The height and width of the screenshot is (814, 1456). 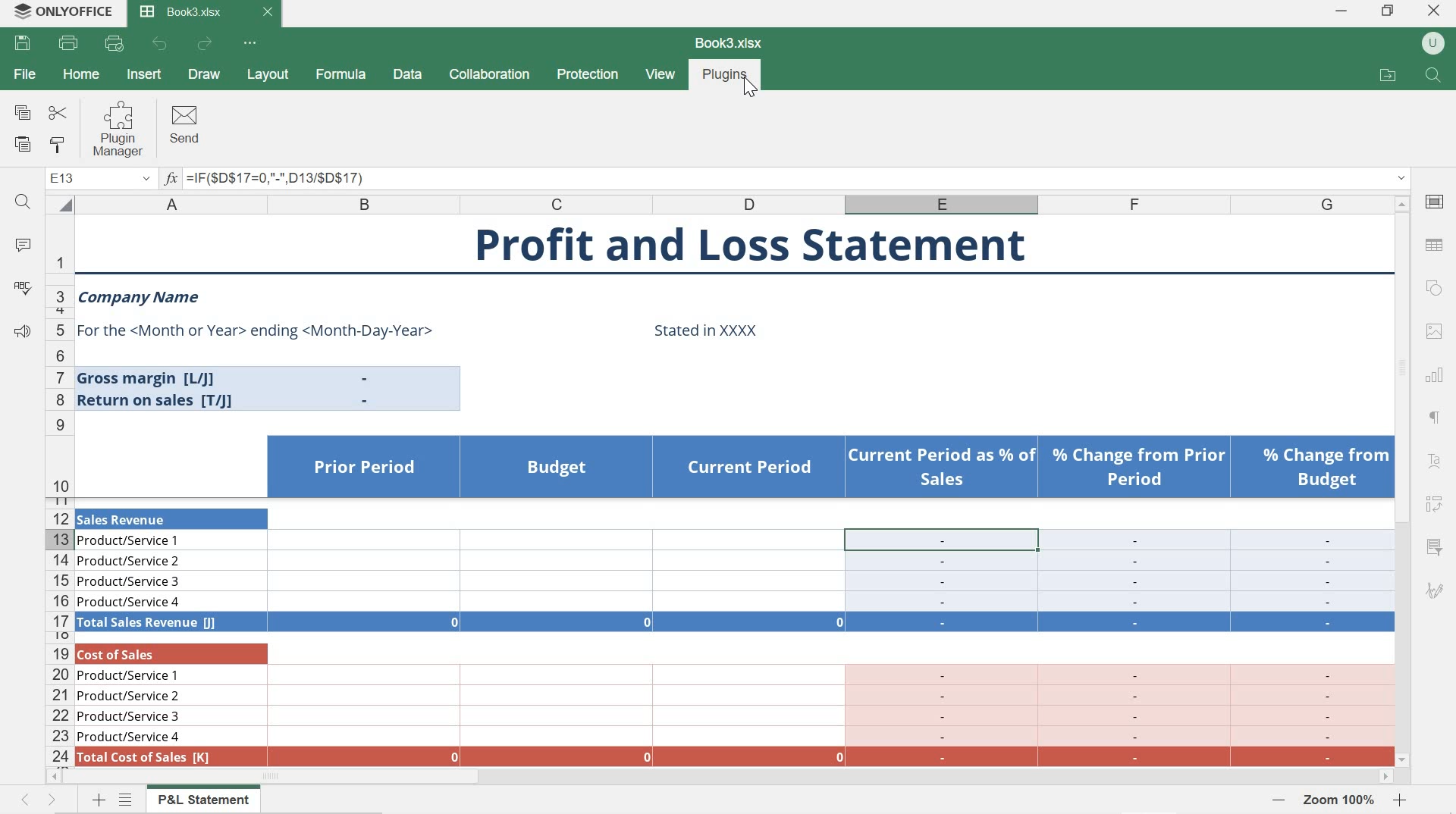 I want to click on shape, so click(x=1433, y=290).